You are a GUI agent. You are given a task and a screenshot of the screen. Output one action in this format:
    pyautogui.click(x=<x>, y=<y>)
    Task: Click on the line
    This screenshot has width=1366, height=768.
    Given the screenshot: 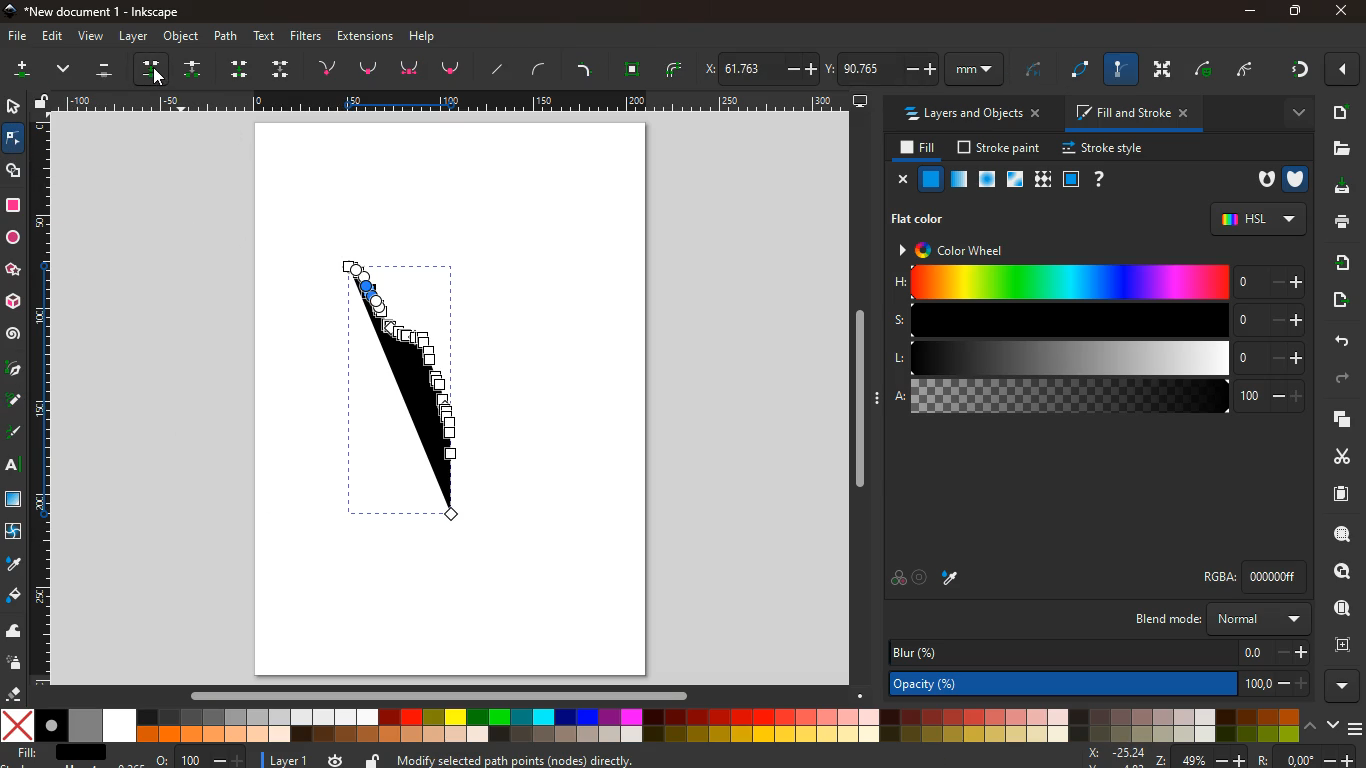 What is the action you would take?
    pyautogui.click(x=587, y=68)
    